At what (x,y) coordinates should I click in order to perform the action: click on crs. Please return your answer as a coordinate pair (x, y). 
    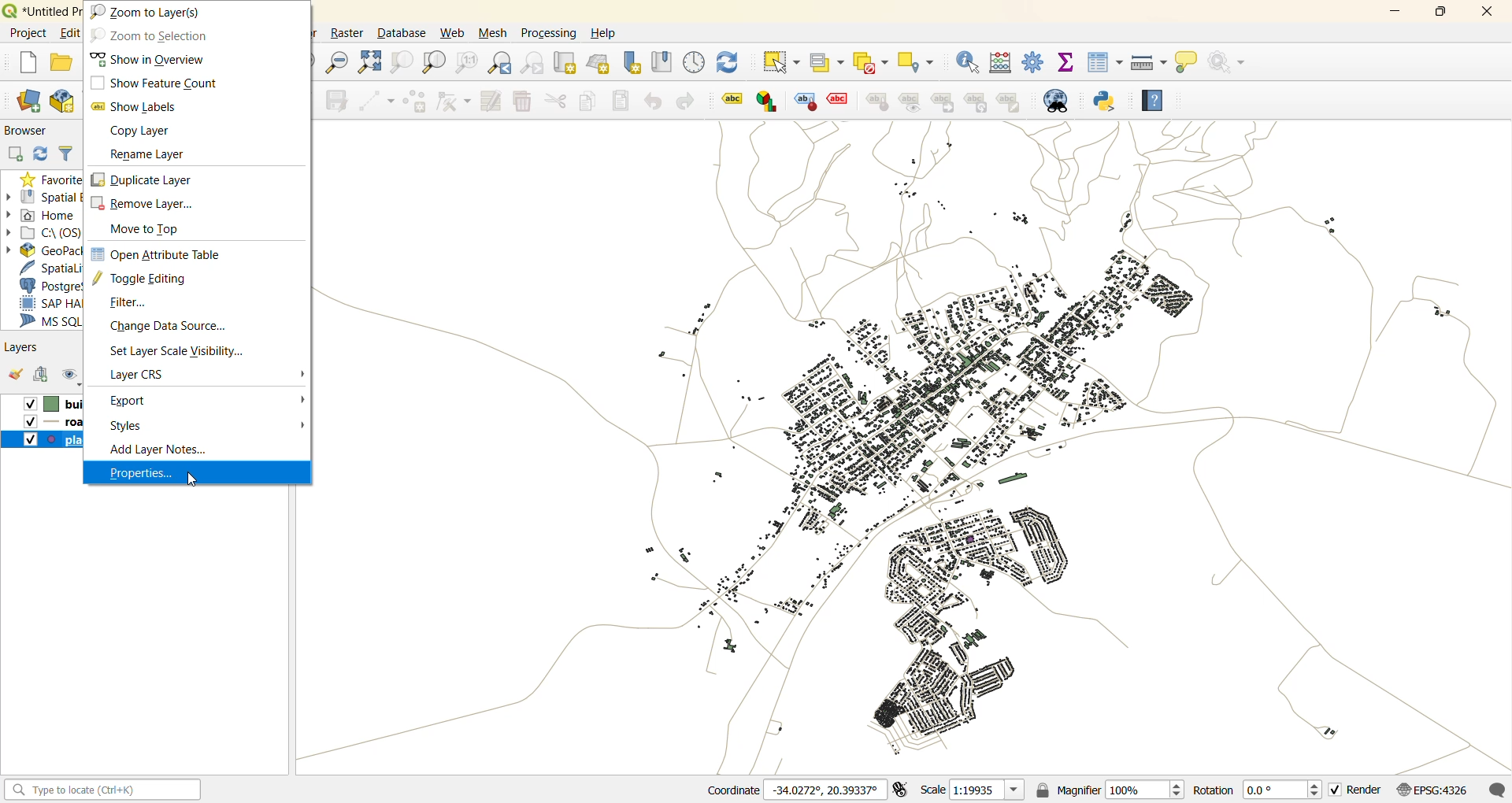
    Looking at the image, I should click on (1430, 790).